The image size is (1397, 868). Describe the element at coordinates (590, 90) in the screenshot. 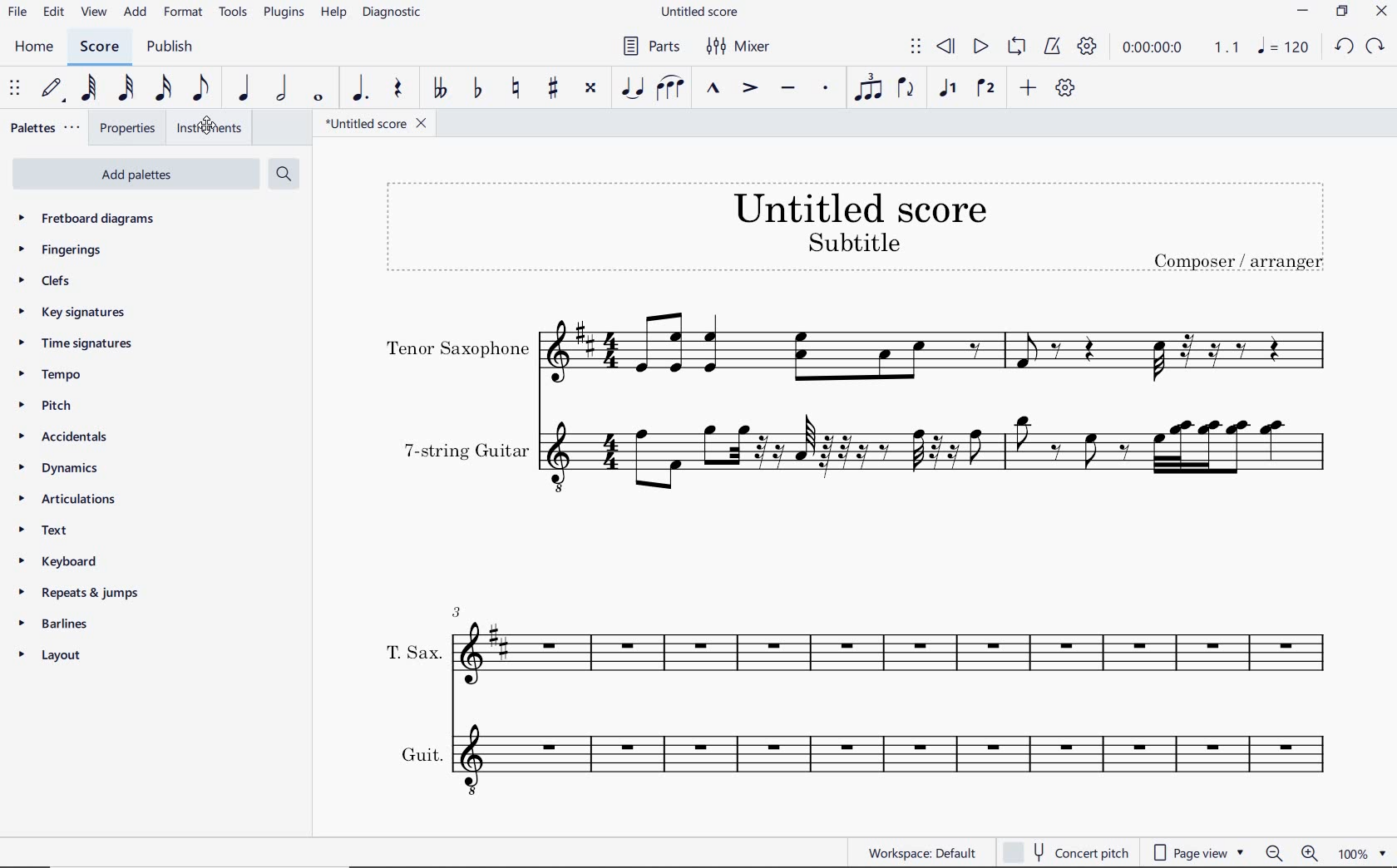

I see `TOGGLE DOUBLE-SHARP` at that location.